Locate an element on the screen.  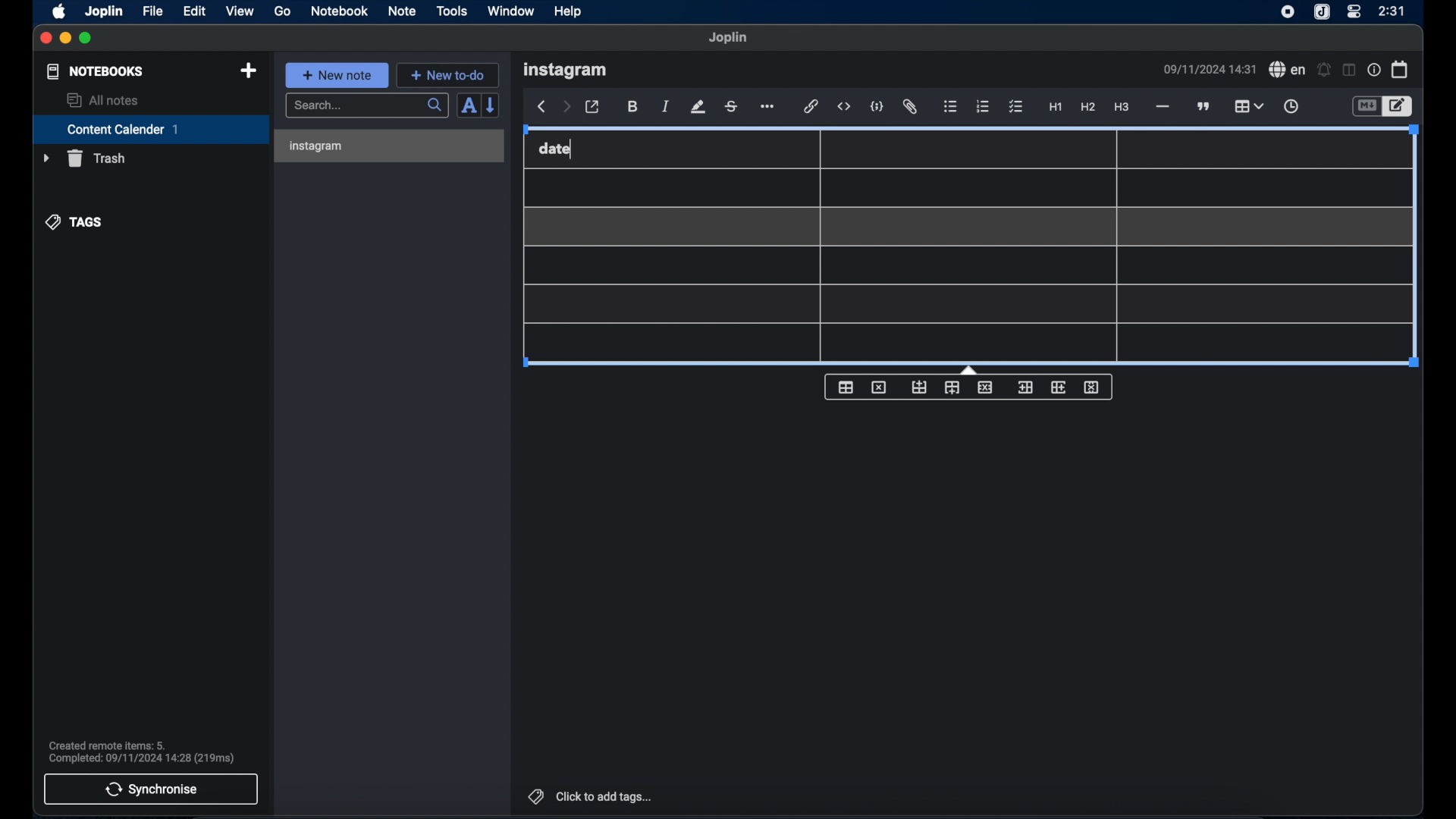
heading 2 is located at coordinates (1088, 107).